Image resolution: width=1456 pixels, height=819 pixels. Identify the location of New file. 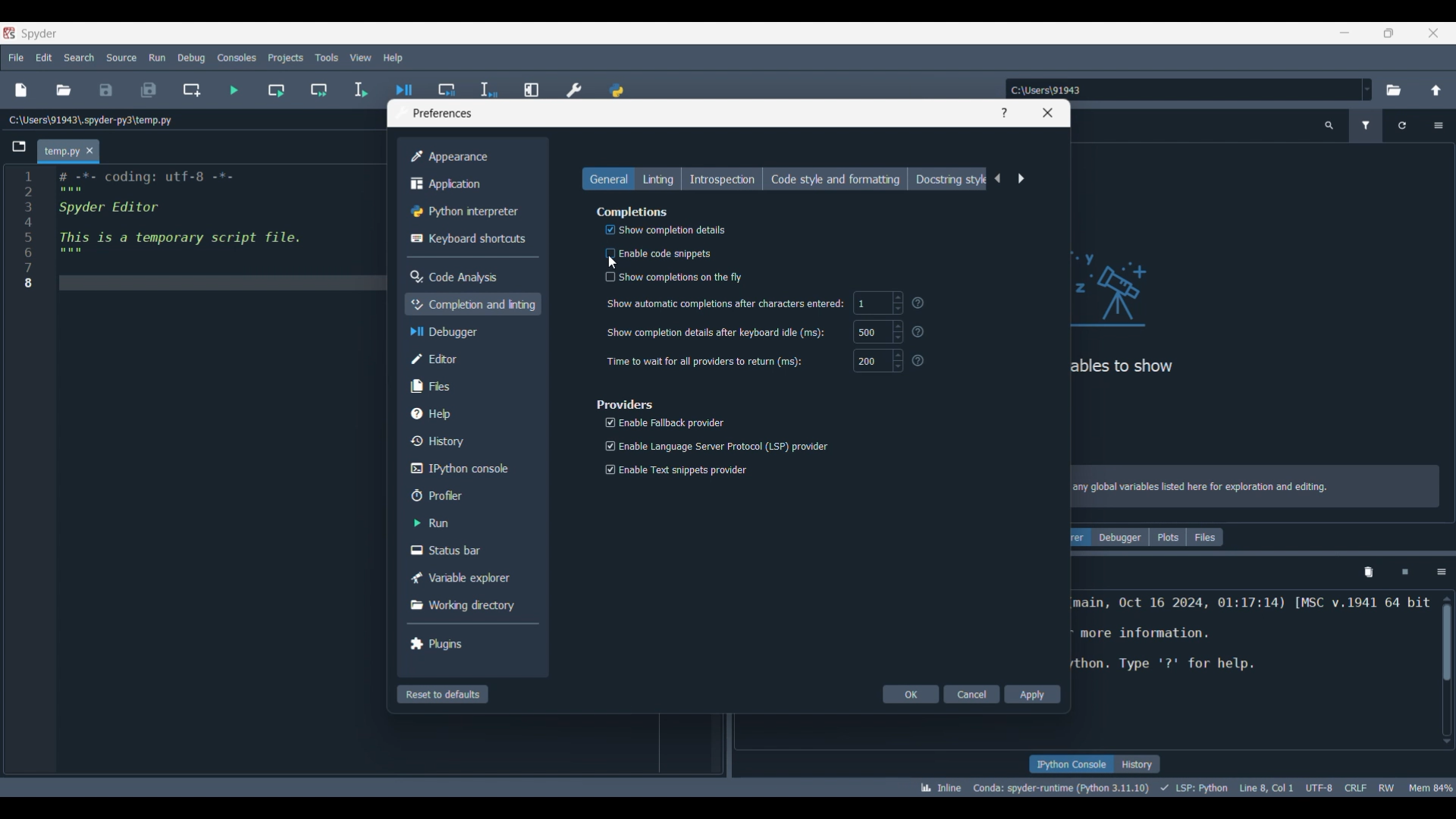
(20, 90).